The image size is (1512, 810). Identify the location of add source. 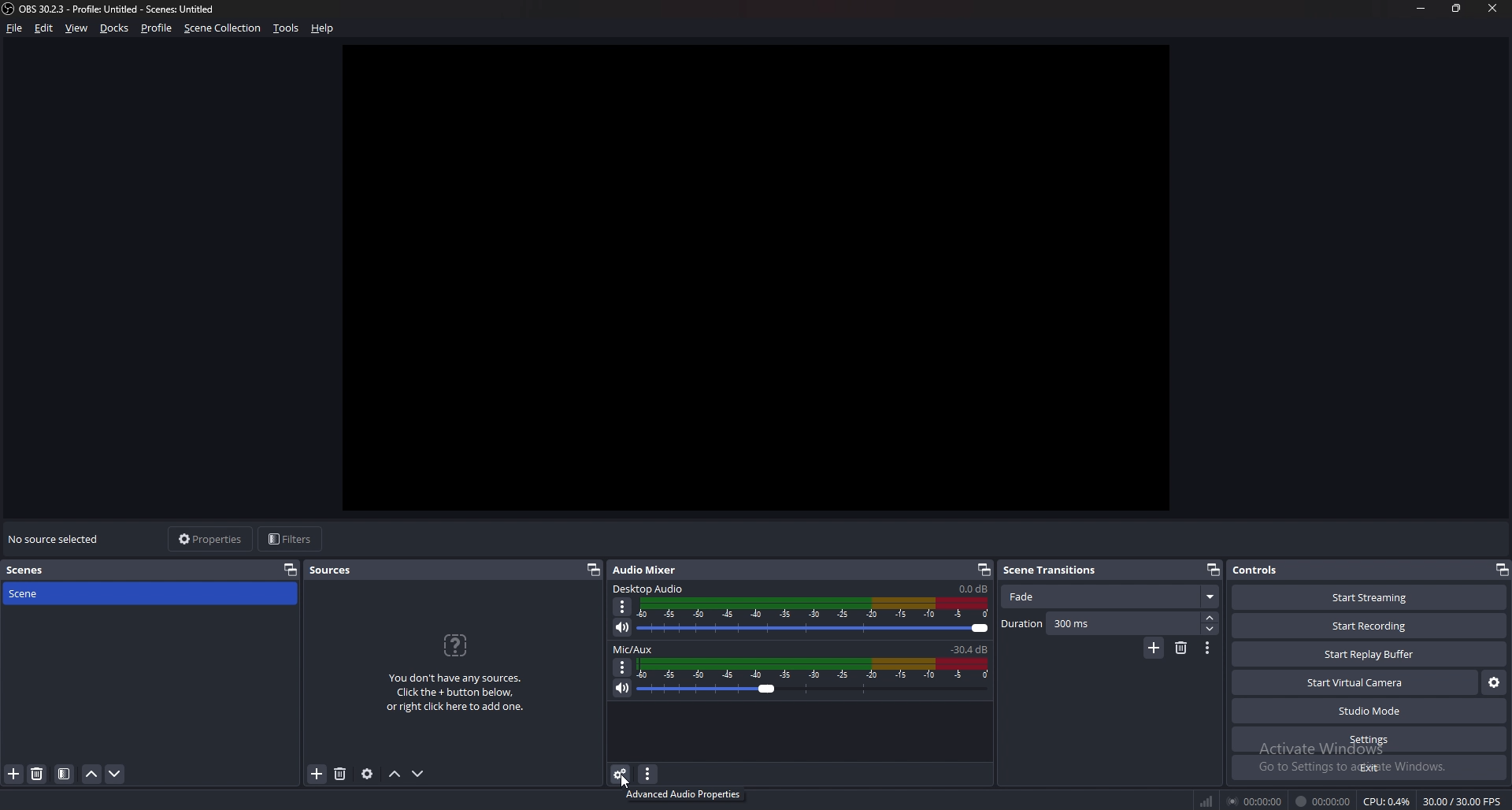
(317, 774).